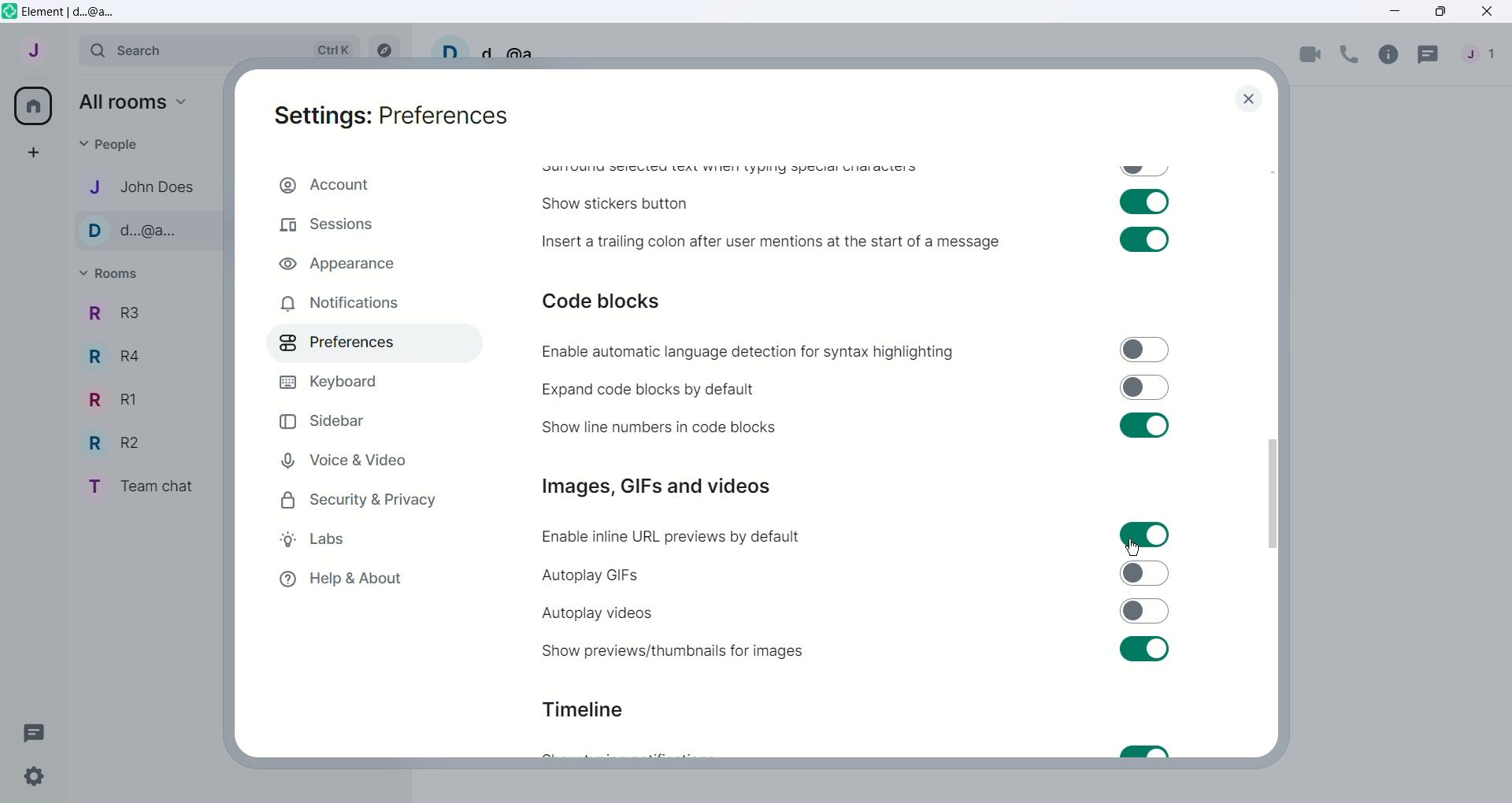  Describe the element at coordinates (1143, 649) in the screenshot. I see `Toggle switch on for sure previews/thumbnails for images` at that location.